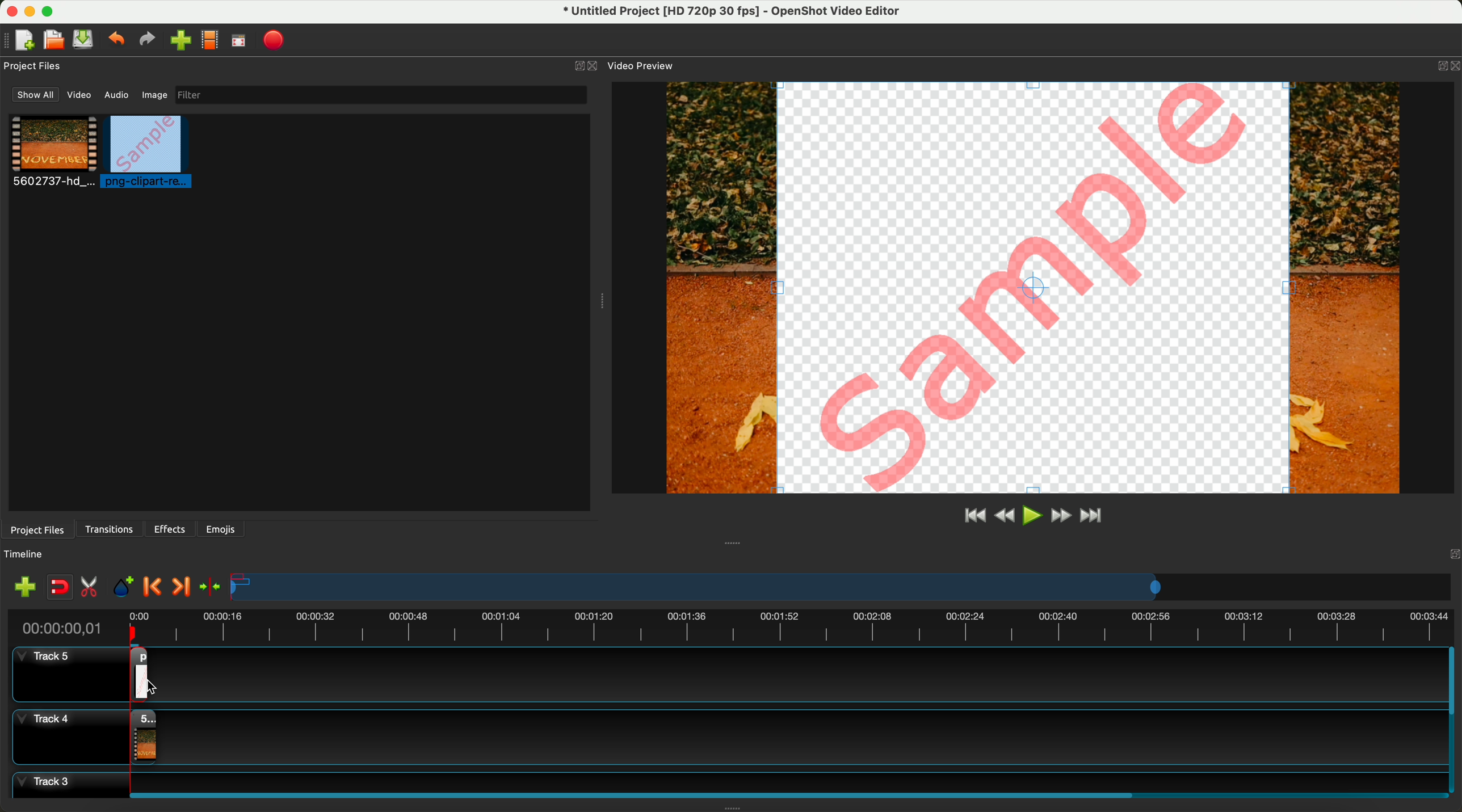  I want to click on click on import files, so click(183, 41).